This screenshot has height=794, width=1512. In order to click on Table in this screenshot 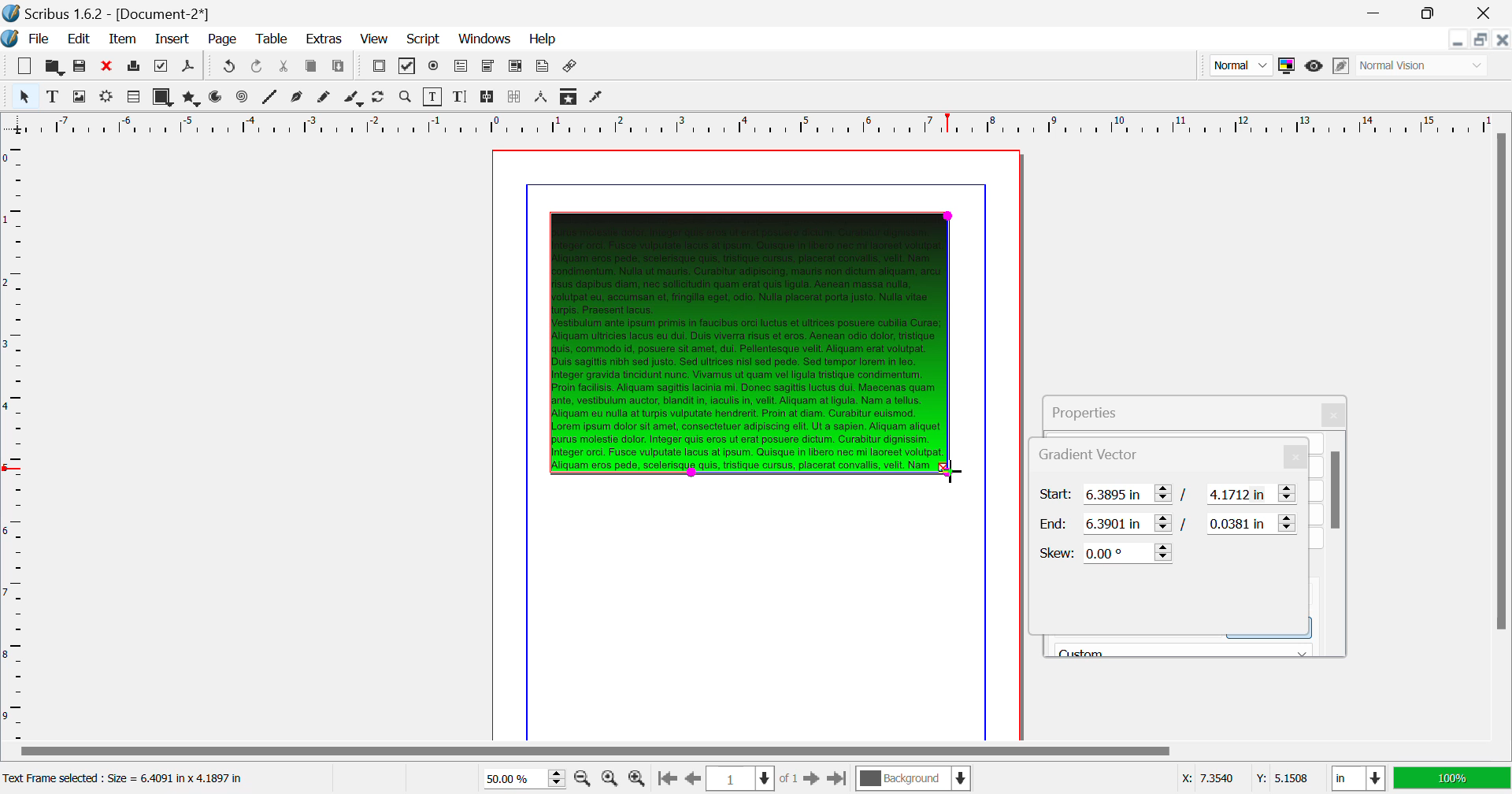, I will do `click(273, 40)`.